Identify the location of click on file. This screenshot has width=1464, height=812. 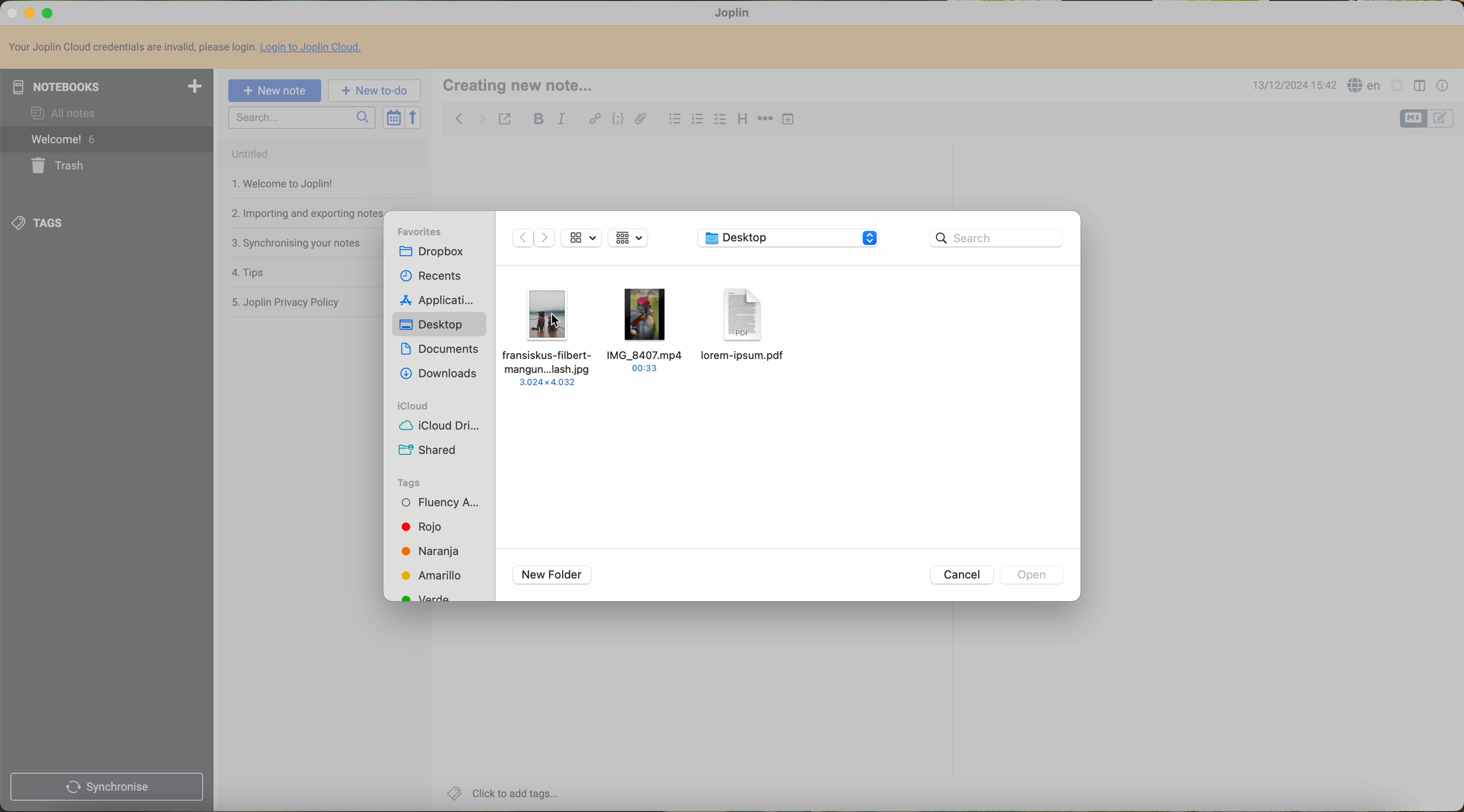
(551, 339).